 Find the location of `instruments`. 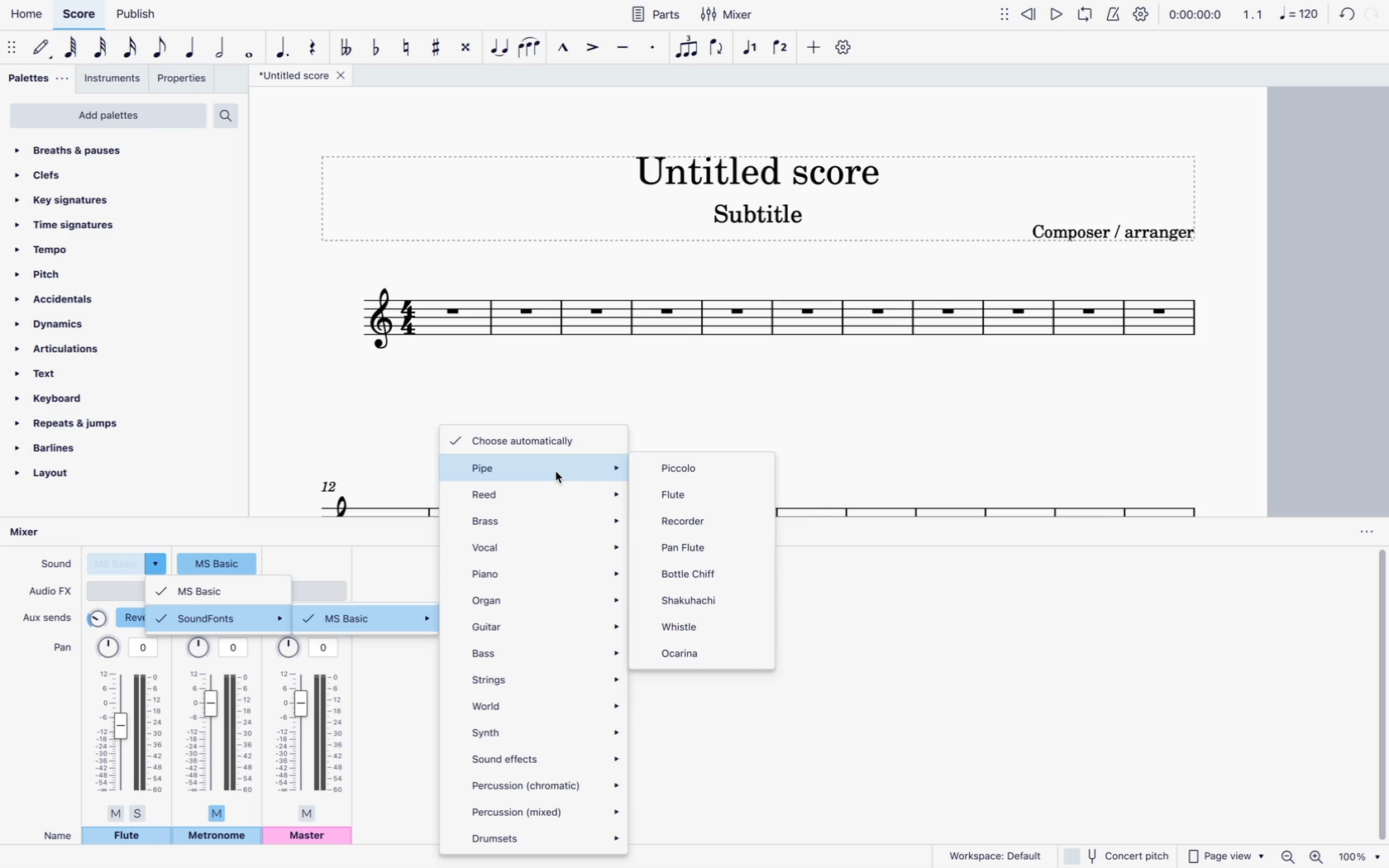

instruments is located at coordinates (113, 80).